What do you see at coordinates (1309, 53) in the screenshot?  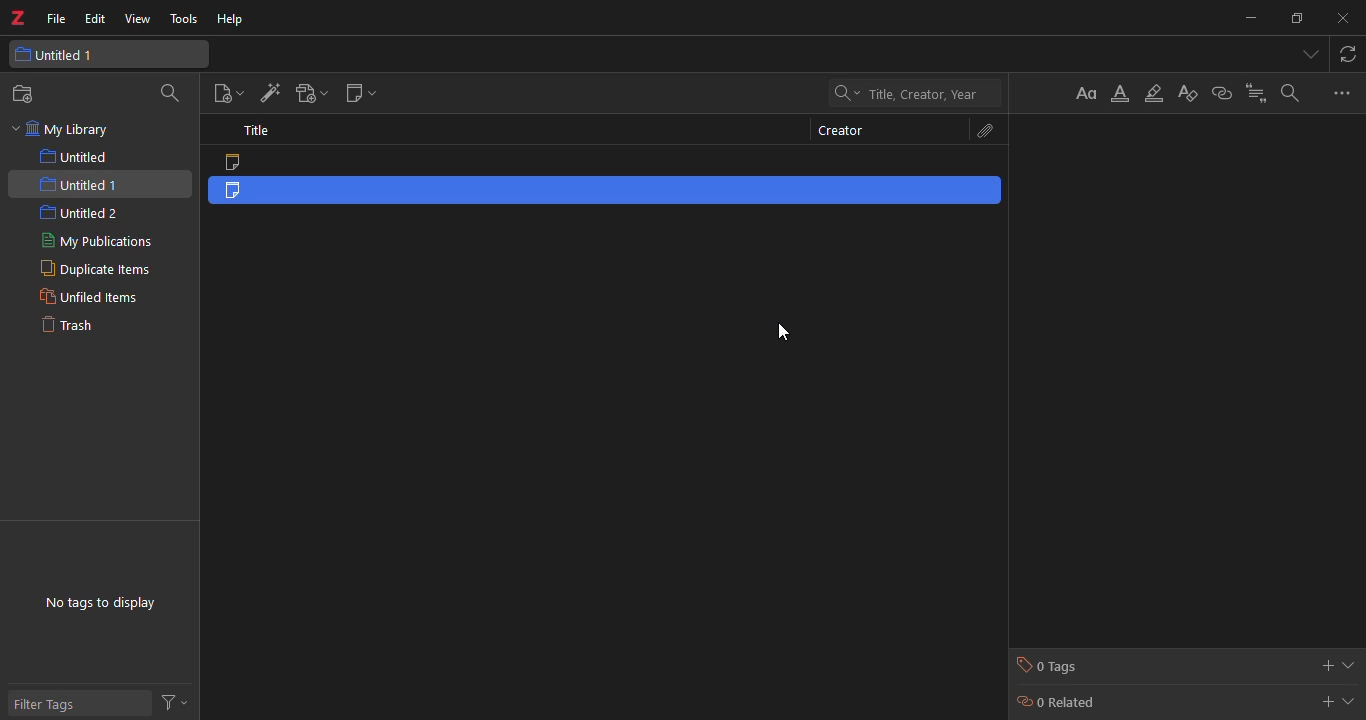 I see `tabs` at bounding box center [1309, 53].